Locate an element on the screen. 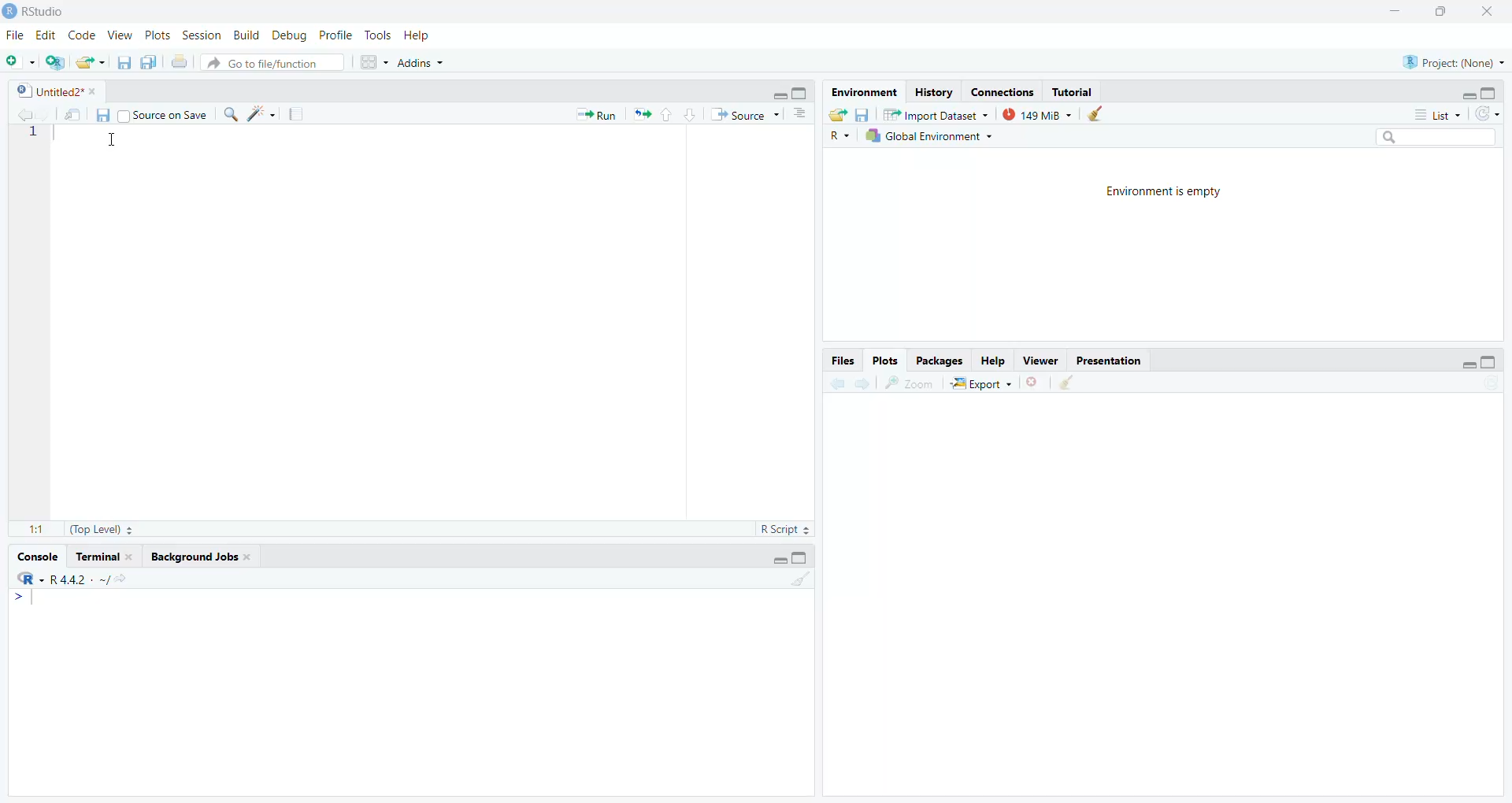  Code Tools is located at coordinates (265, 113).